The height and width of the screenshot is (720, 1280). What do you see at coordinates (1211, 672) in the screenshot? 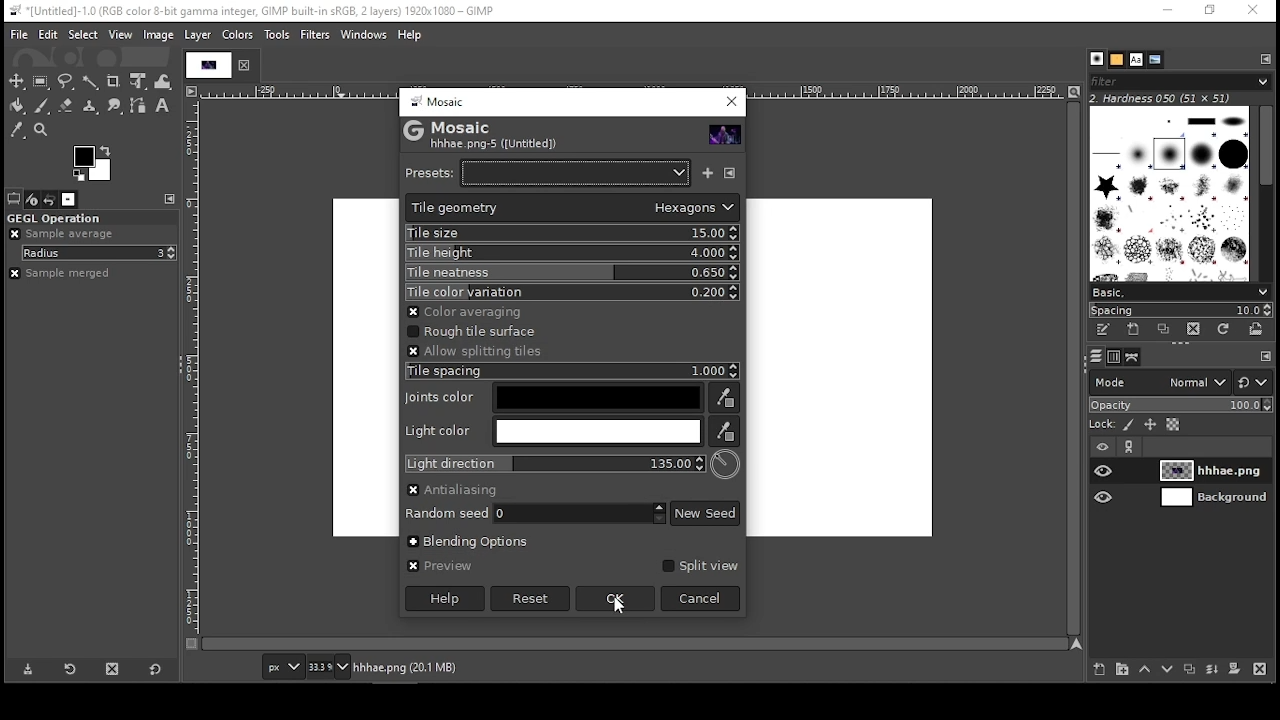
I see `merge layer` at bounding box center [1211, 672].